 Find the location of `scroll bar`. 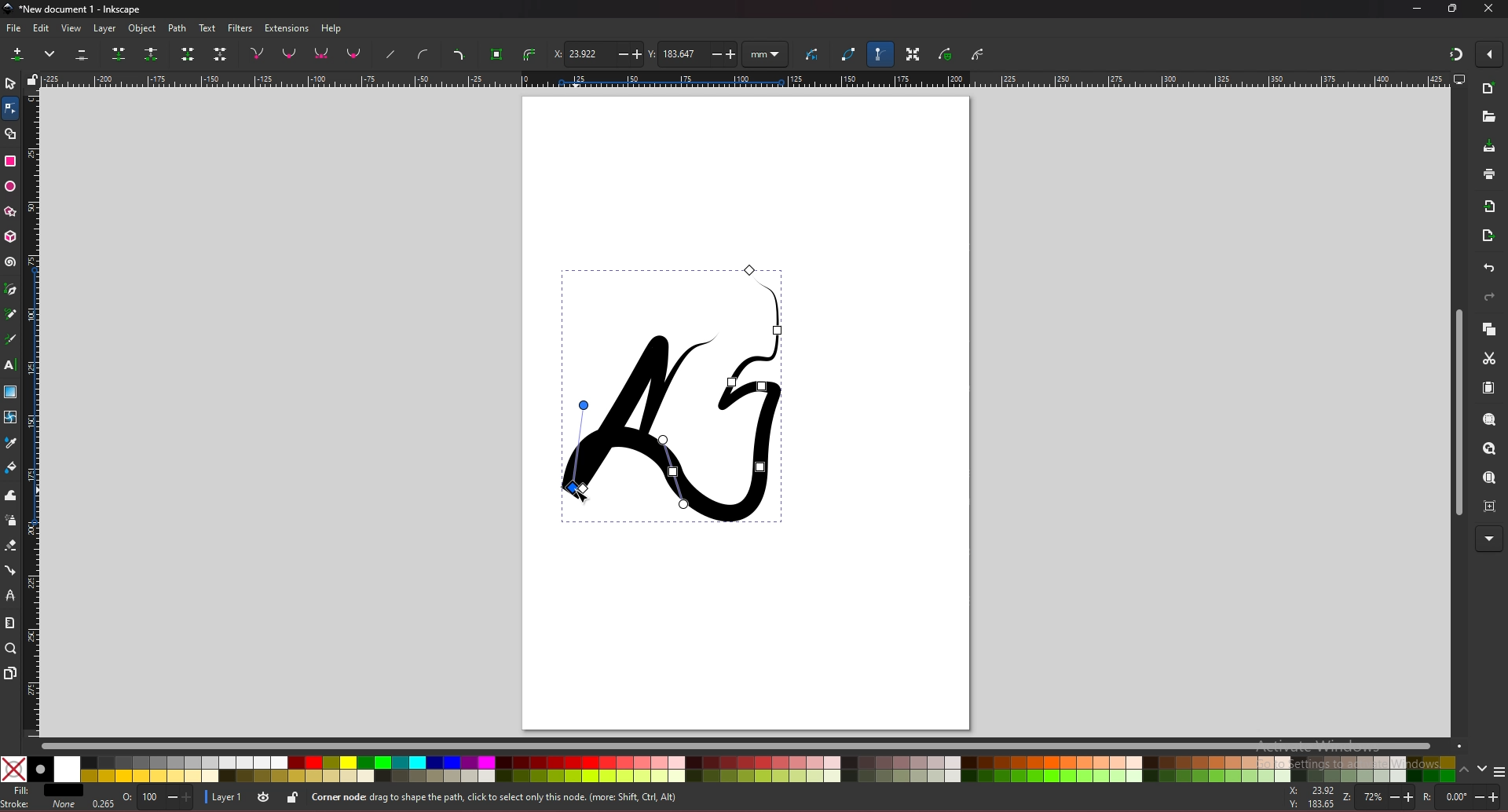

scroll bar is located at coordinates (1456, 411).